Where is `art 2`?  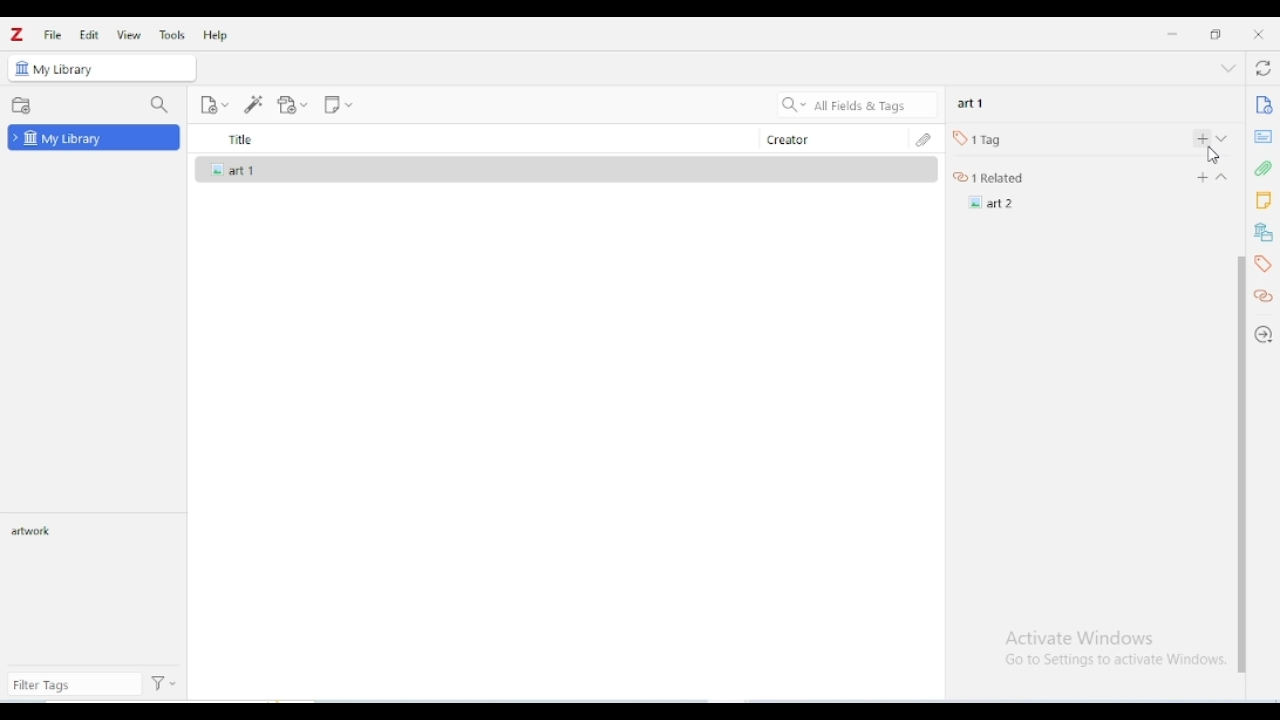 art 2 is located at coordinates (993, 203).